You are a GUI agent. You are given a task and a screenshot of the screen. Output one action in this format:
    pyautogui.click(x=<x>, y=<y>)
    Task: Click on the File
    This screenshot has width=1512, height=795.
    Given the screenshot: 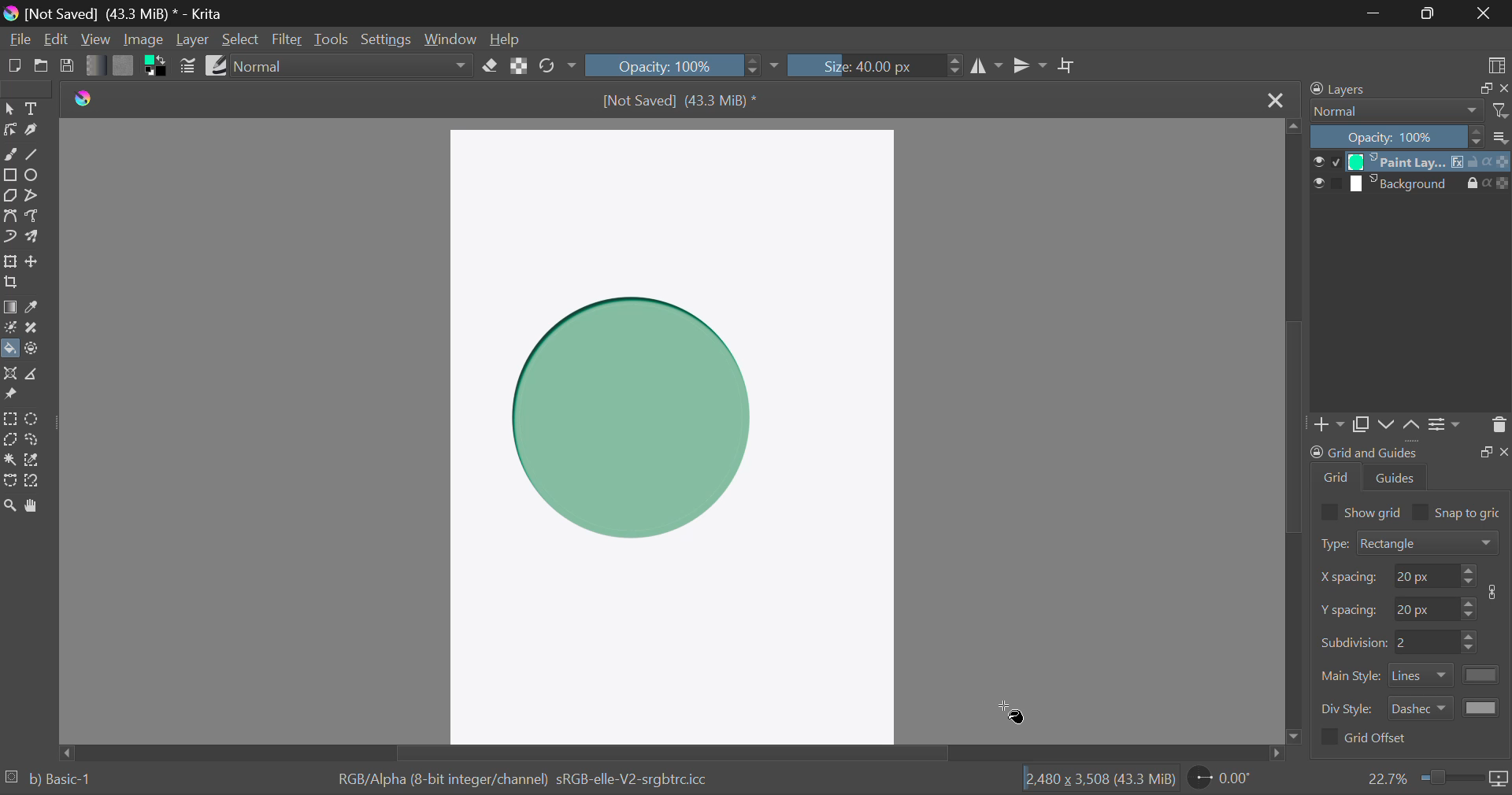 What is the action you would take?
    pyautogui.click(x=19, y=42)
    